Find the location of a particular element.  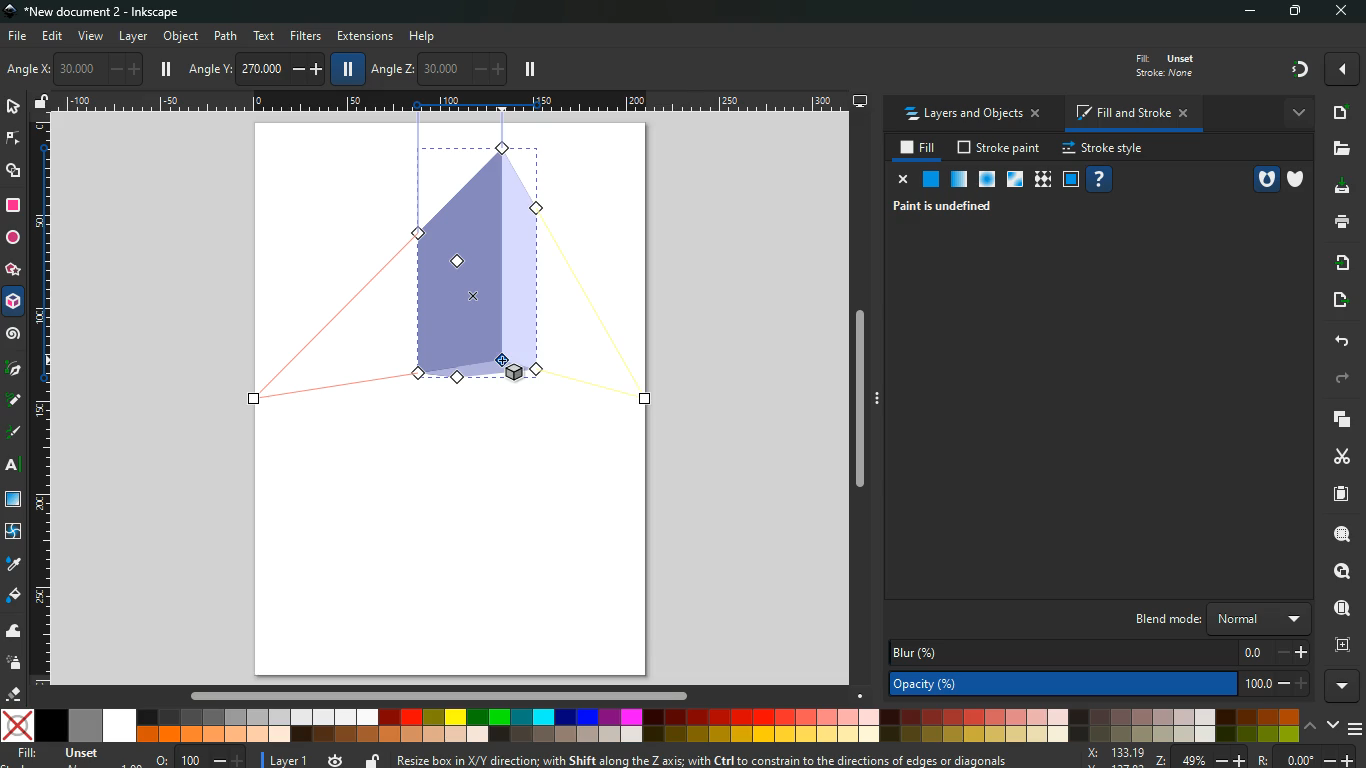

unlock is located at coordinates (372, 760).